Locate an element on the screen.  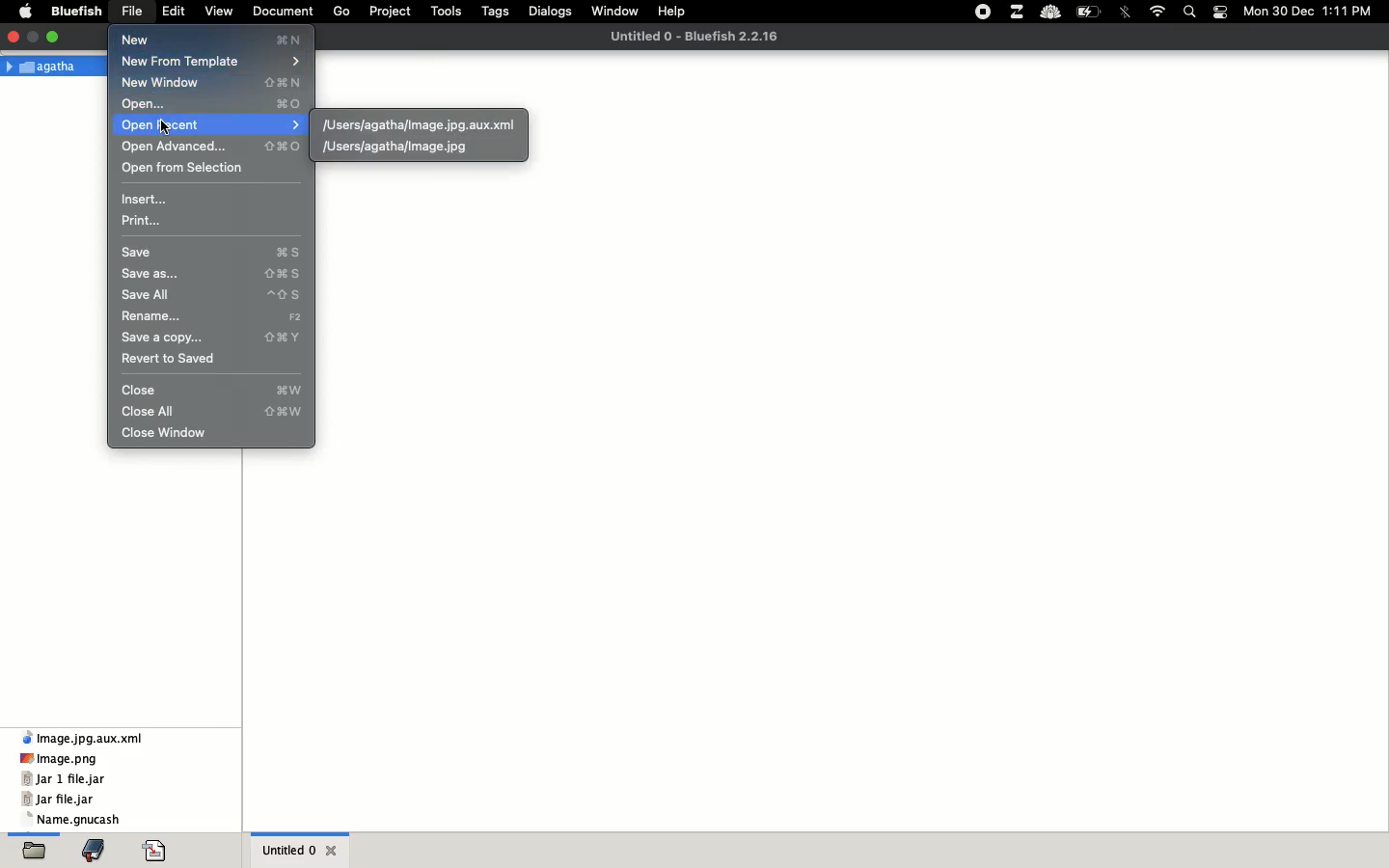
help is located at coordinates (674, 12).